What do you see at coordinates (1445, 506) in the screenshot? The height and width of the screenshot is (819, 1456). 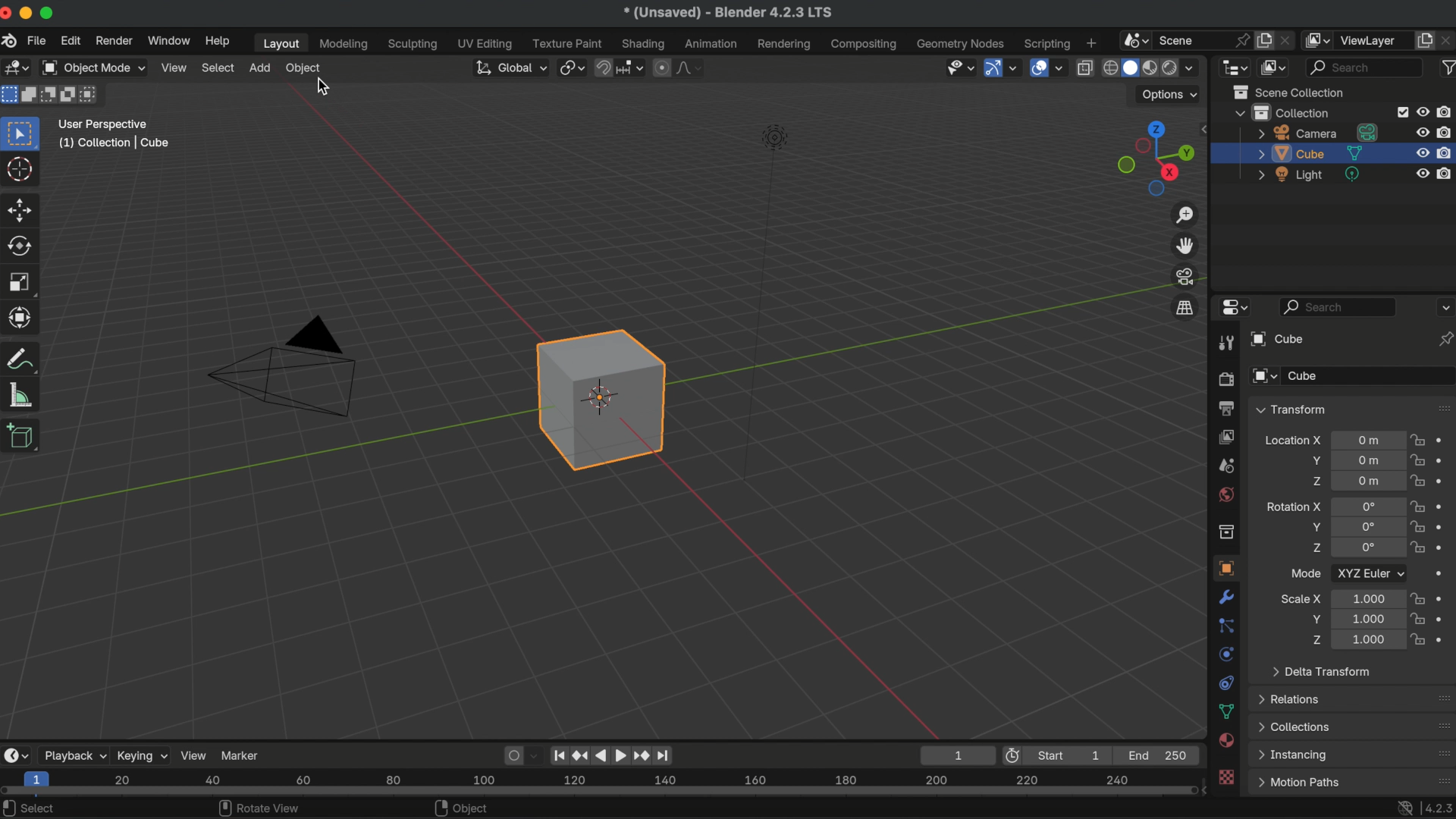 I see `animate property` at bounding box center [1445, 506].